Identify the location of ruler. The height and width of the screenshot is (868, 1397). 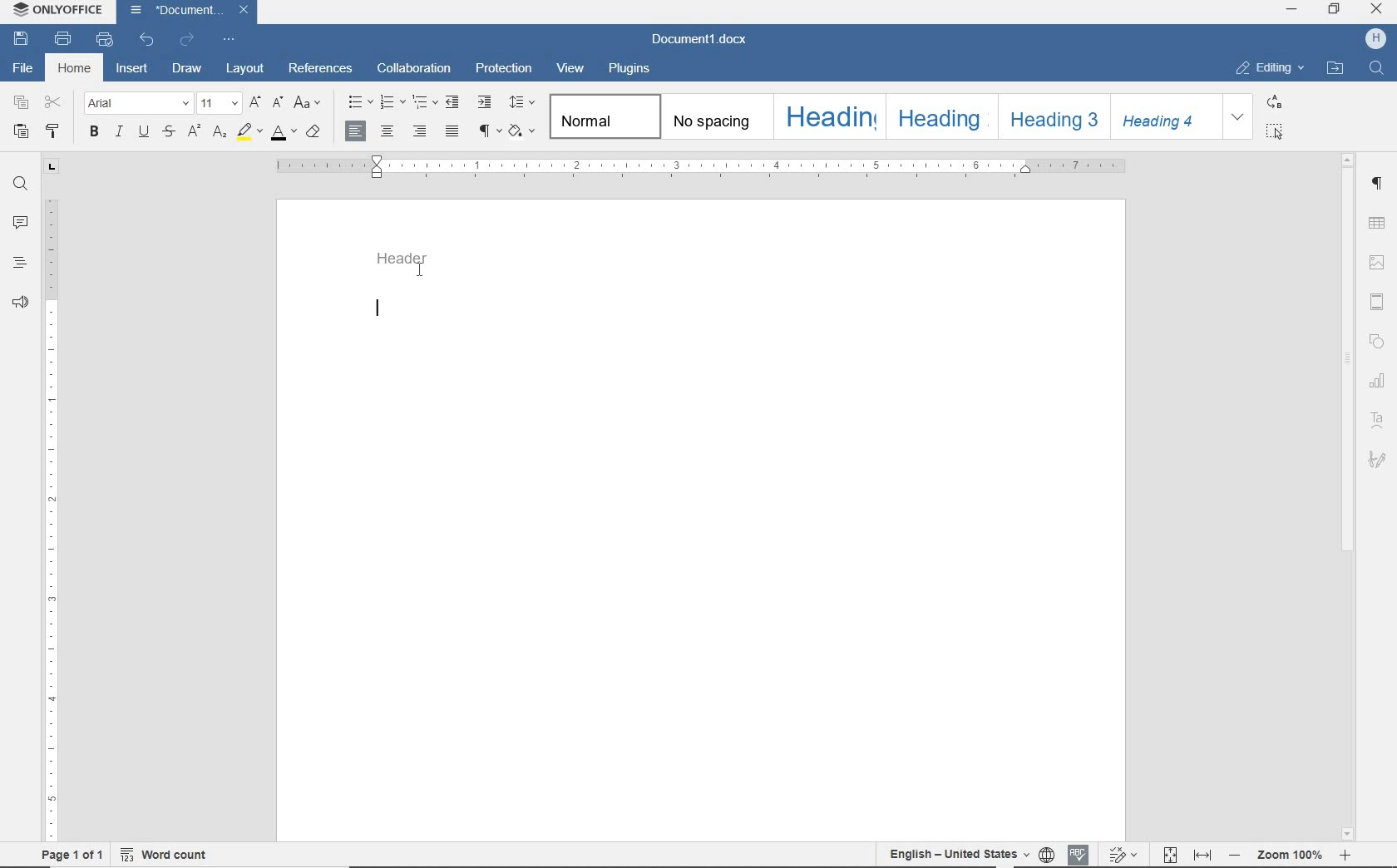
(694, 167).